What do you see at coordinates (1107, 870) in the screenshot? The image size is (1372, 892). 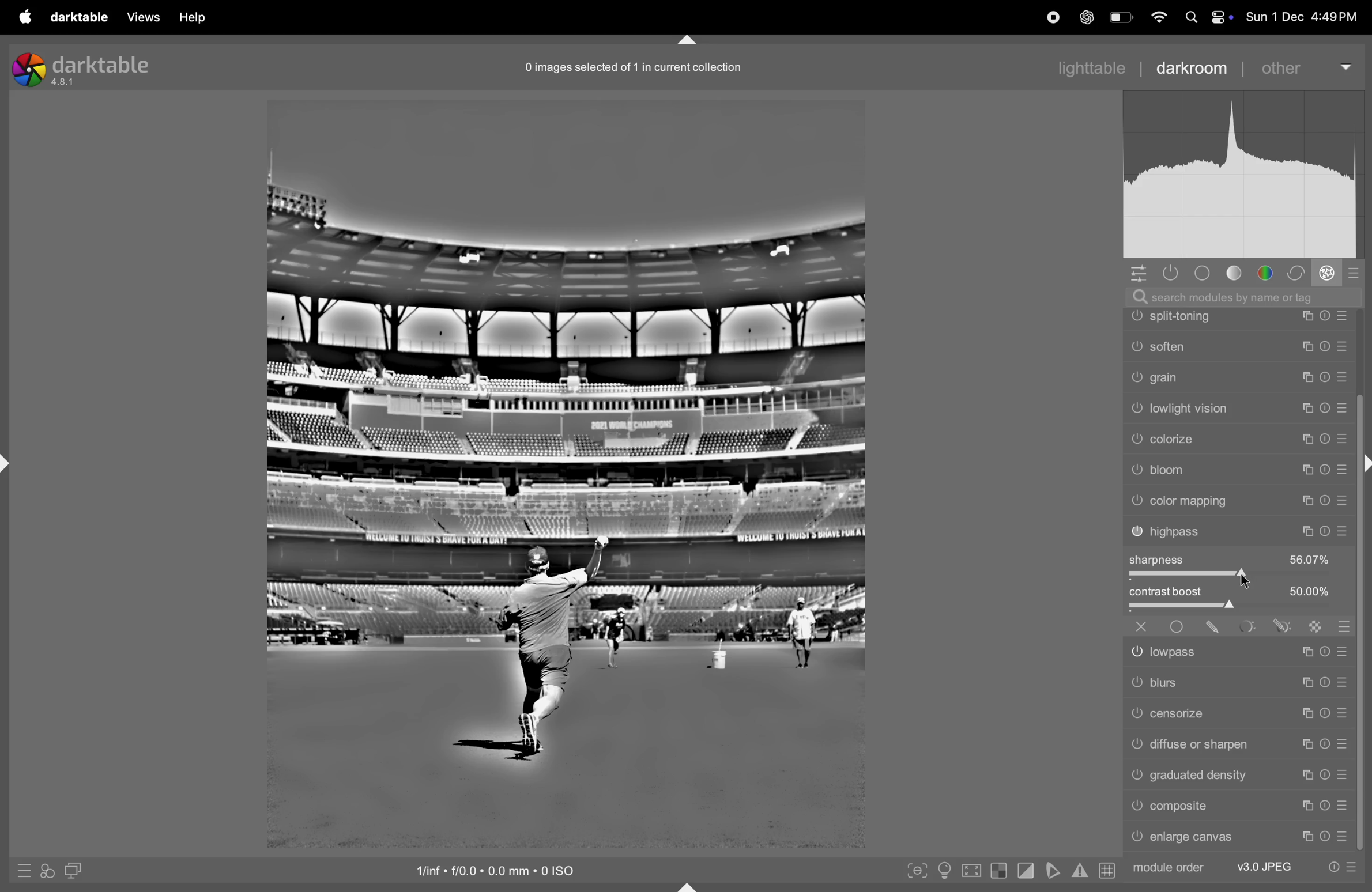 I see `toggle guidelines` at bounding box center [1107, 870].